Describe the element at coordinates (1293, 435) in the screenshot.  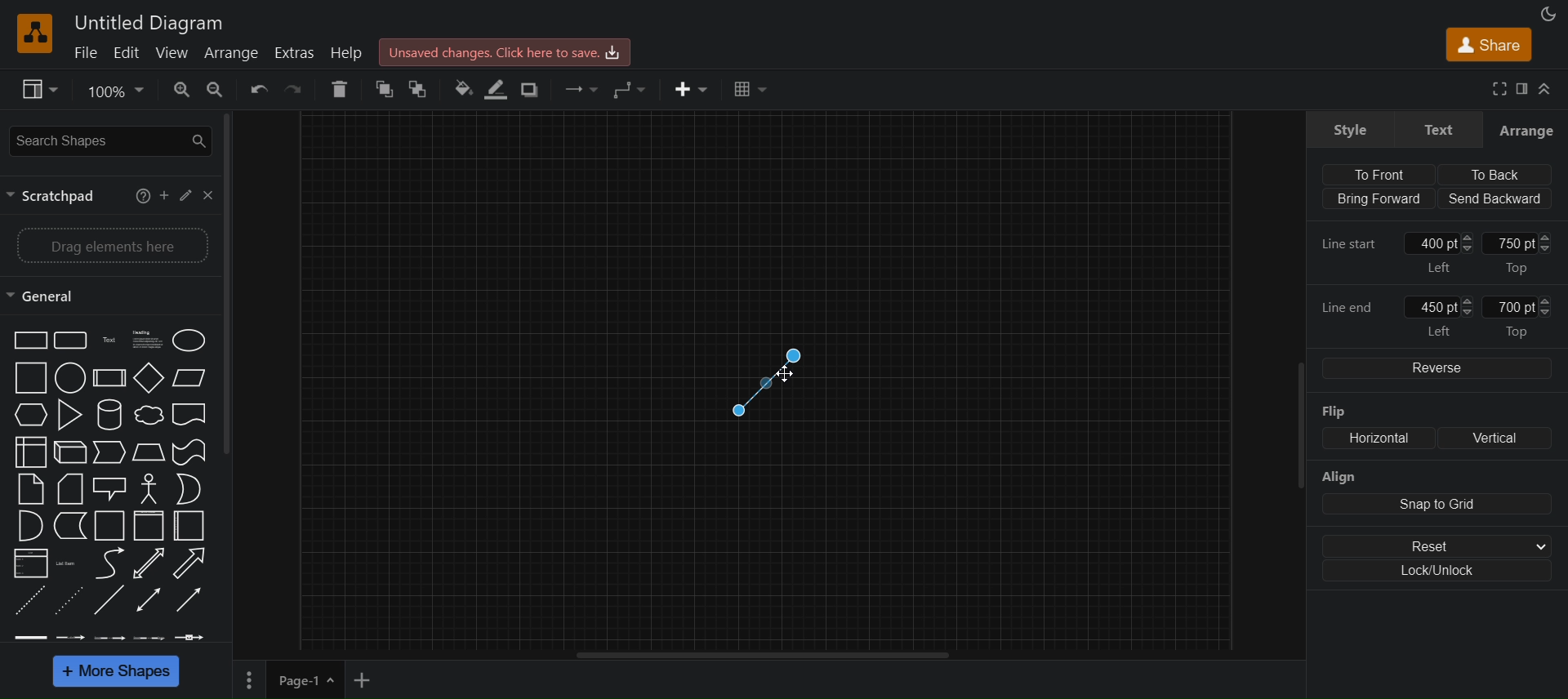
I see `scroll bar` at that location.